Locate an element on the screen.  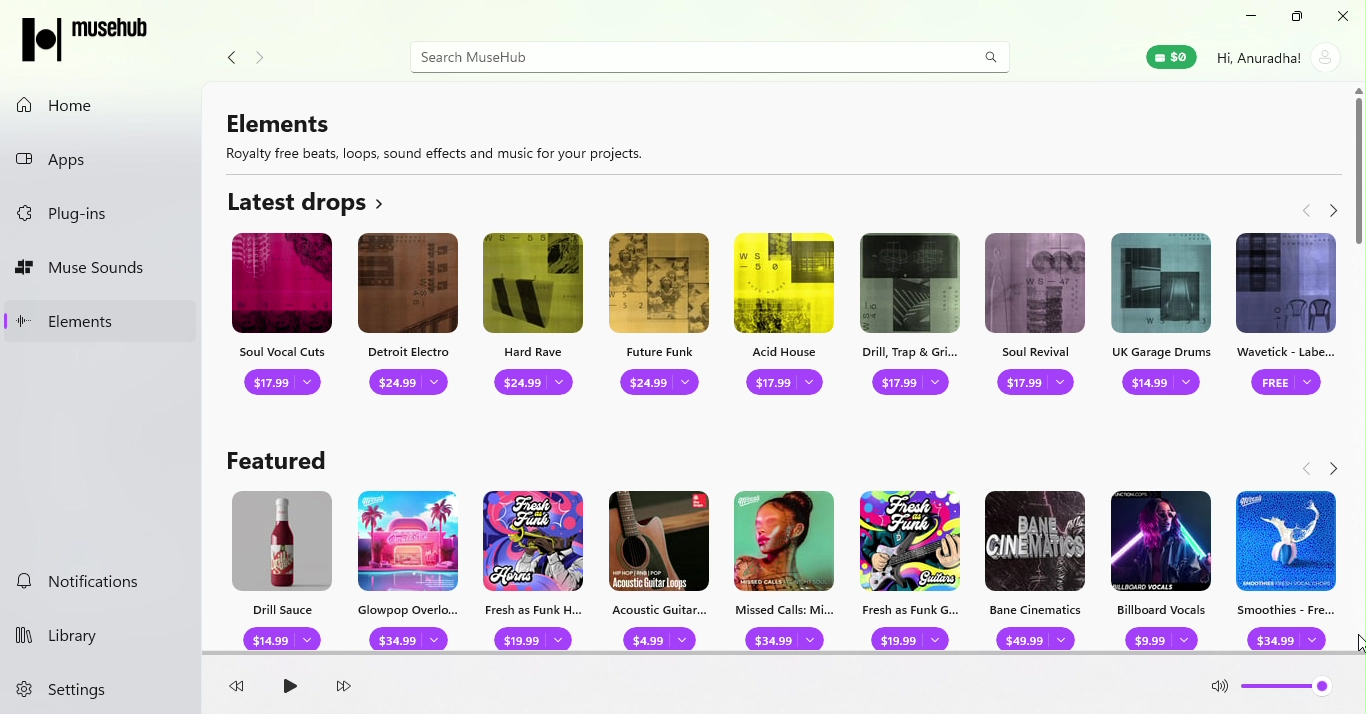
Smoothies is located at coordinates (1289, 571).